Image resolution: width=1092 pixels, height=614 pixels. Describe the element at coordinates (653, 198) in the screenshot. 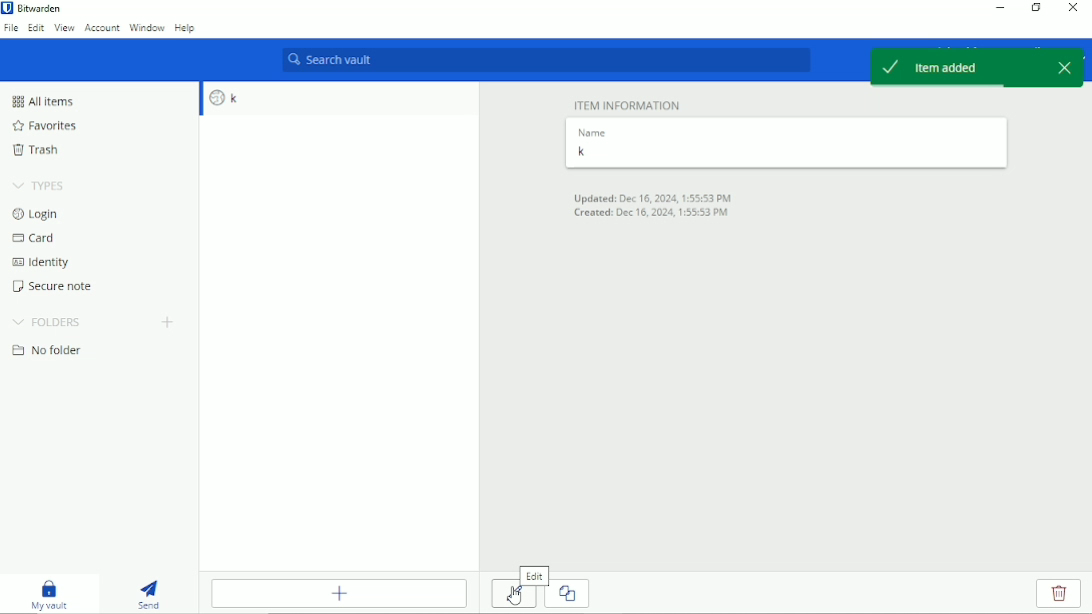

I see `Updated: Dec 16, 2024, 1:55:53 pm` at that location.